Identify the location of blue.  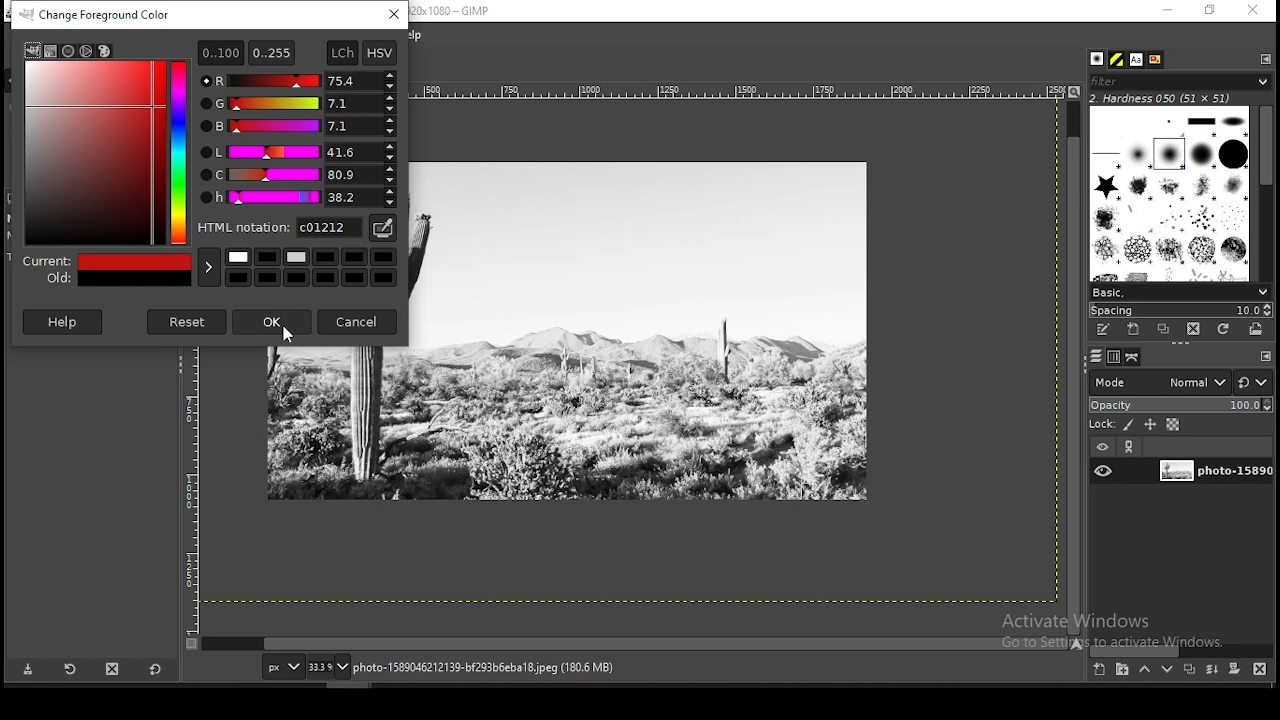
(297, 126).